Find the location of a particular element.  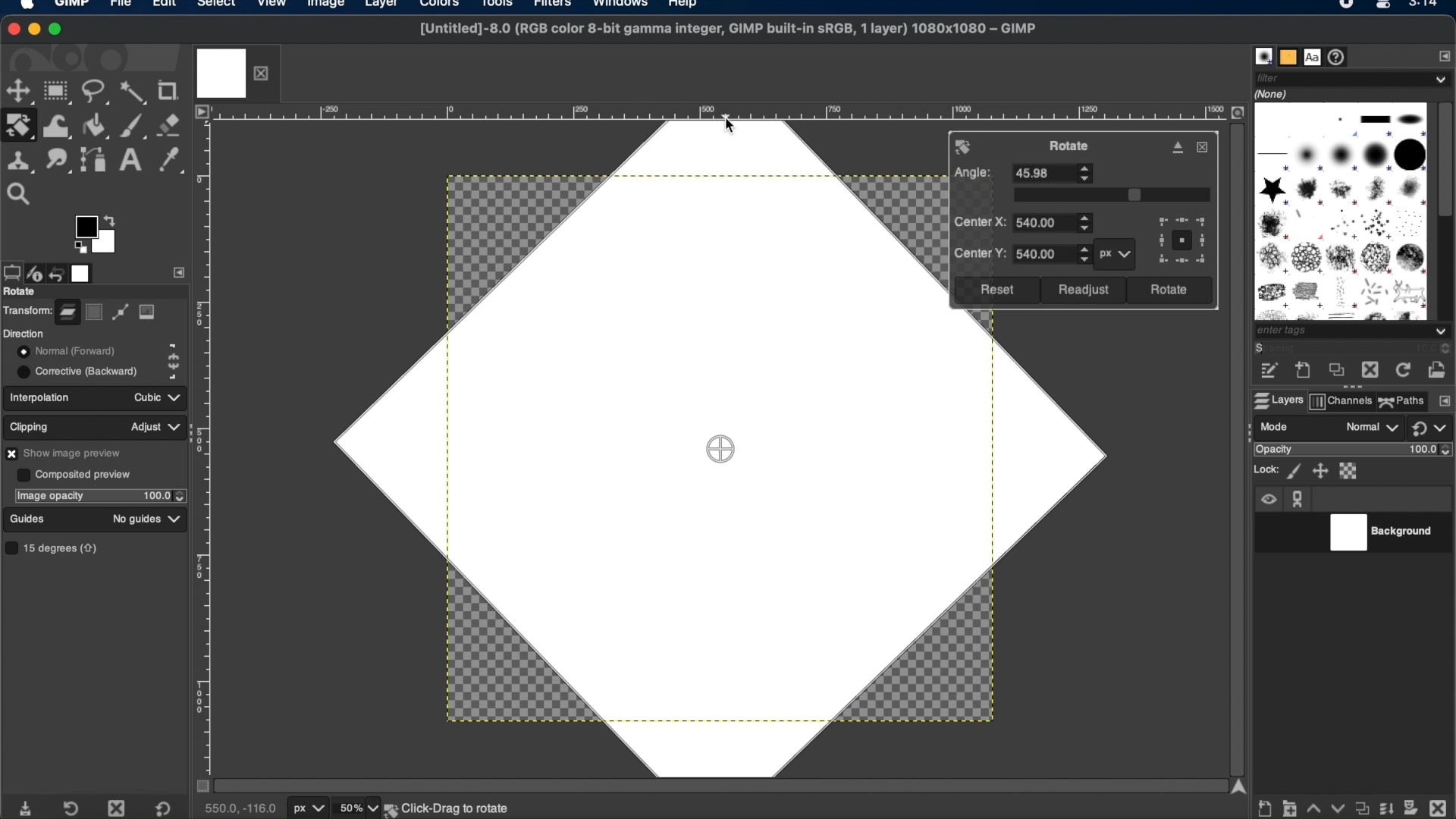

switch to another group of modes is located at coordinates (1433, 429).